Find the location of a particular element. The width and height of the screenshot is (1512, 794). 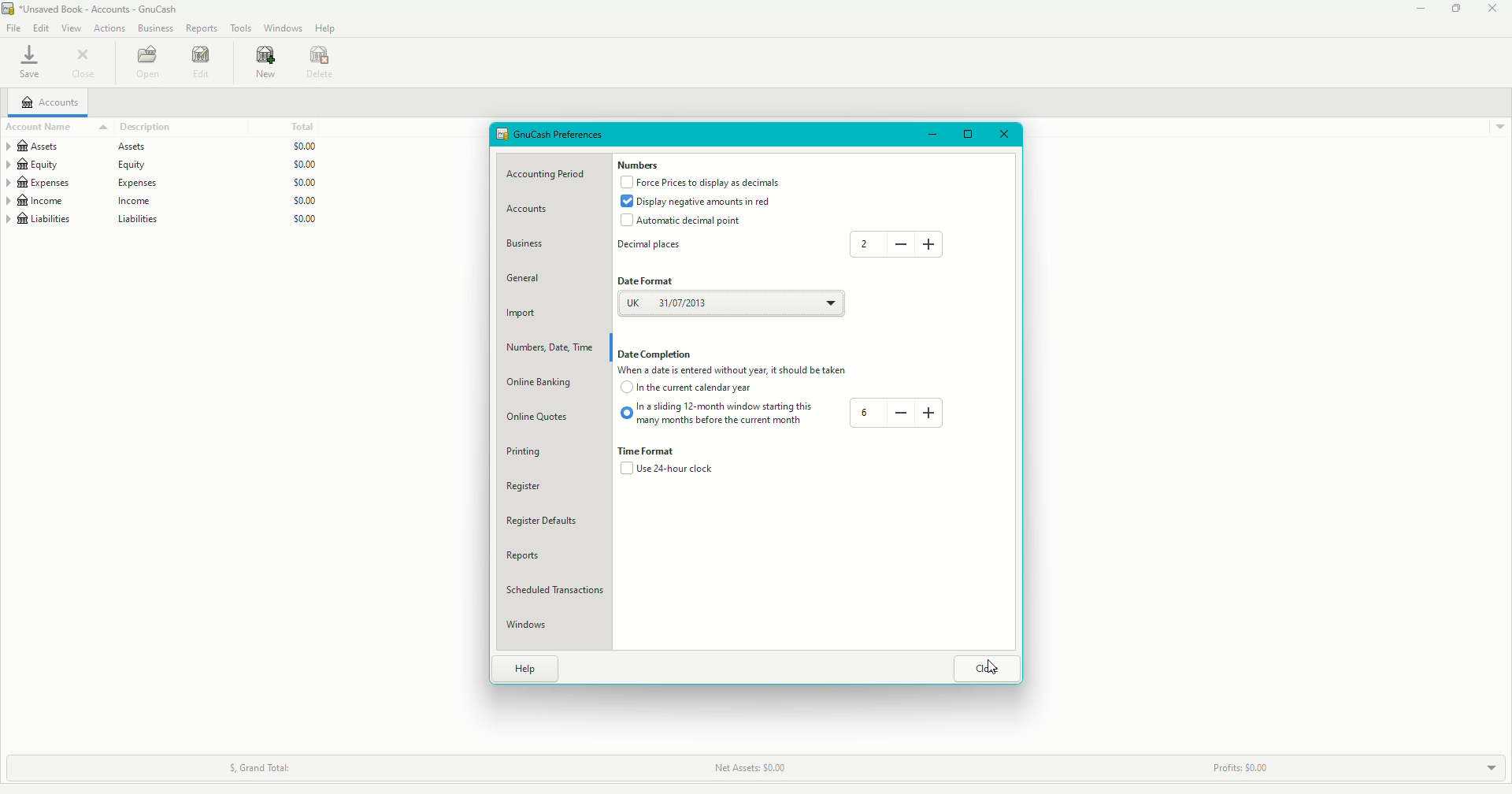

Date Completion is located at coordinates (659, 354).